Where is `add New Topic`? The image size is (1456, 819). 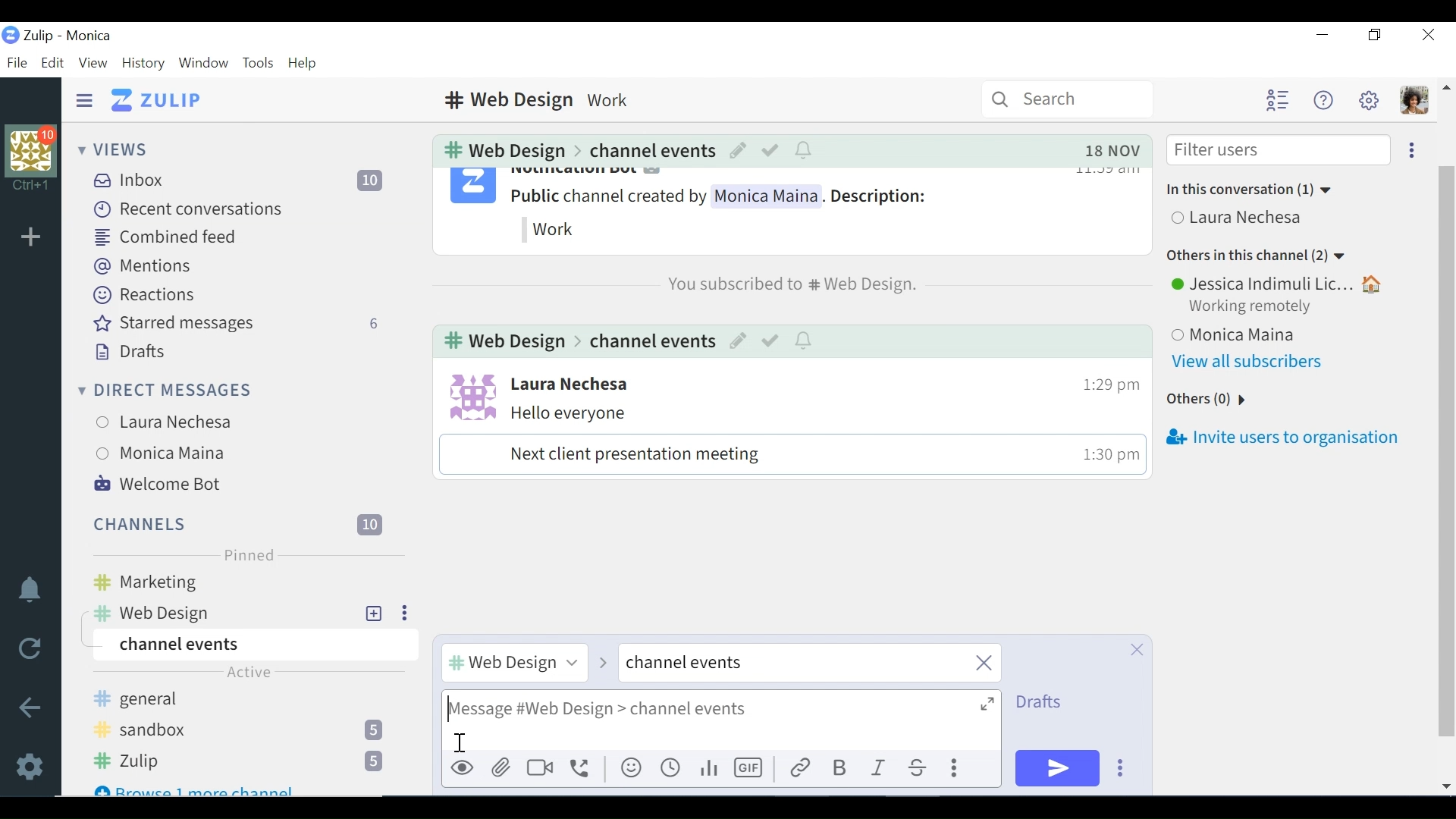 add New Topic is located at coordinates (375, 613).